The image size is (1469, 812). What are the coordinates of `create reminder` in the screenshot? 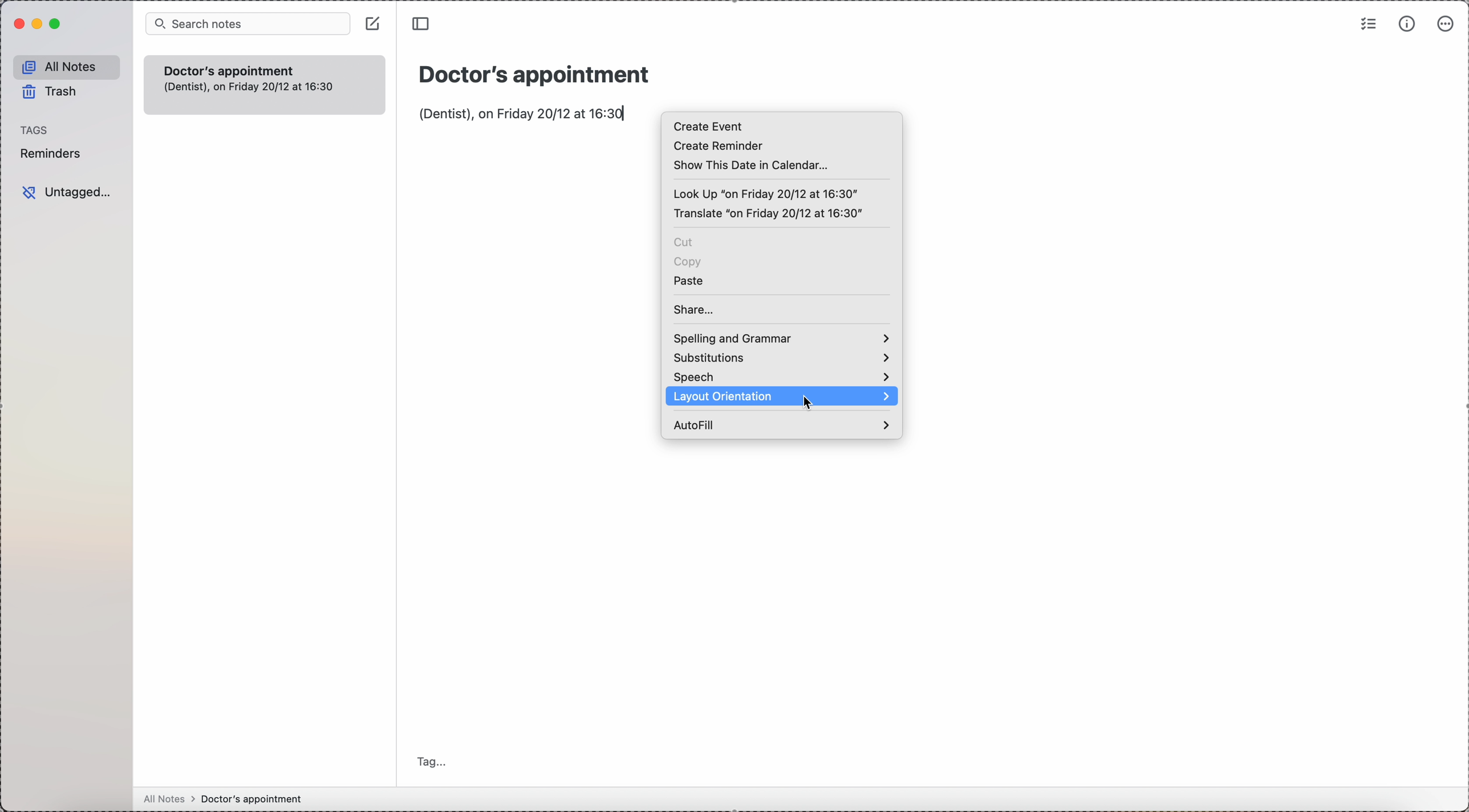 It's located at (717, 146).